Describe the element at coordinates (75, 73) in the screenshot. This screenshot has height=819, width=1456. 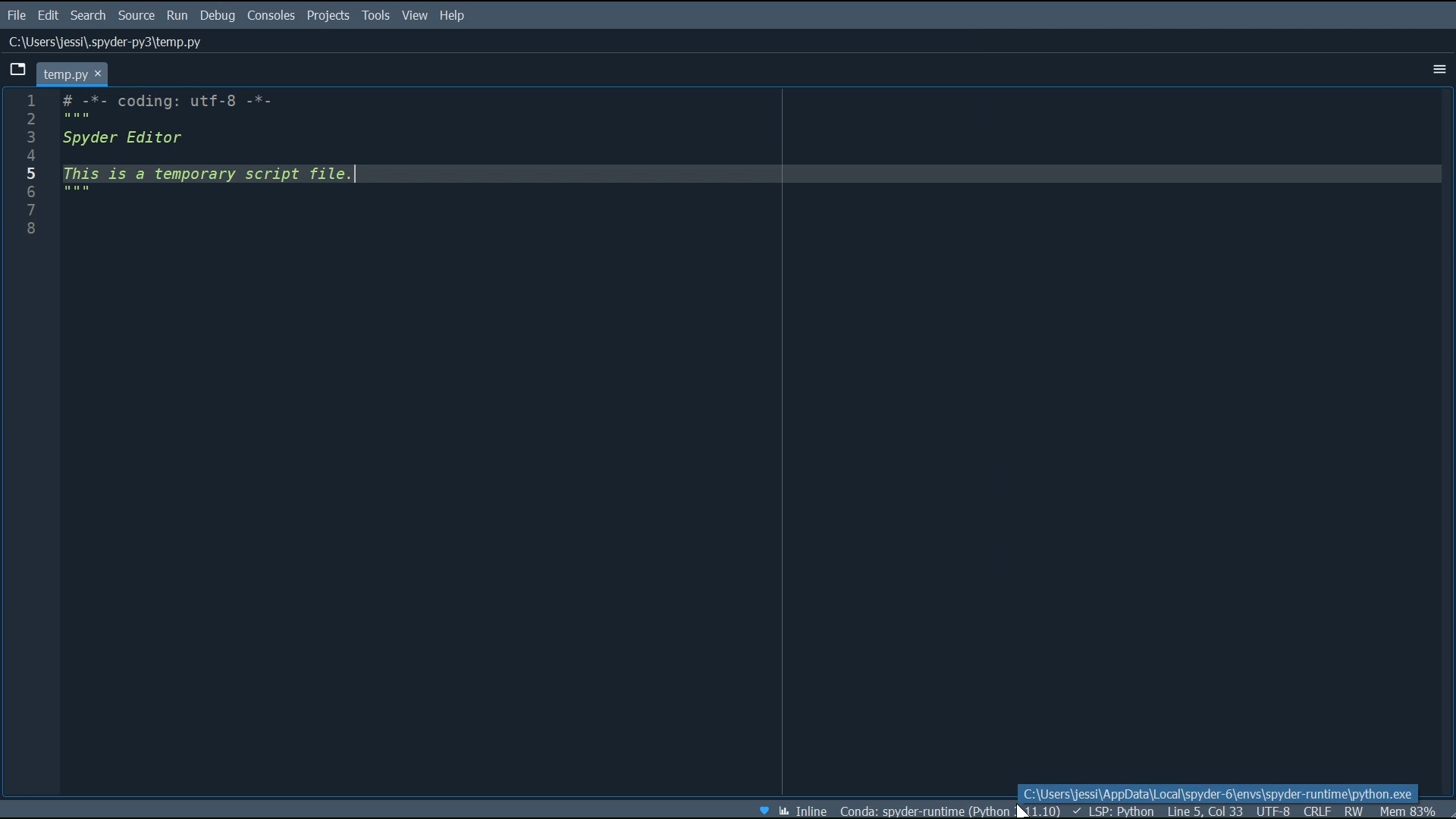
I see `Current tab` at that location.